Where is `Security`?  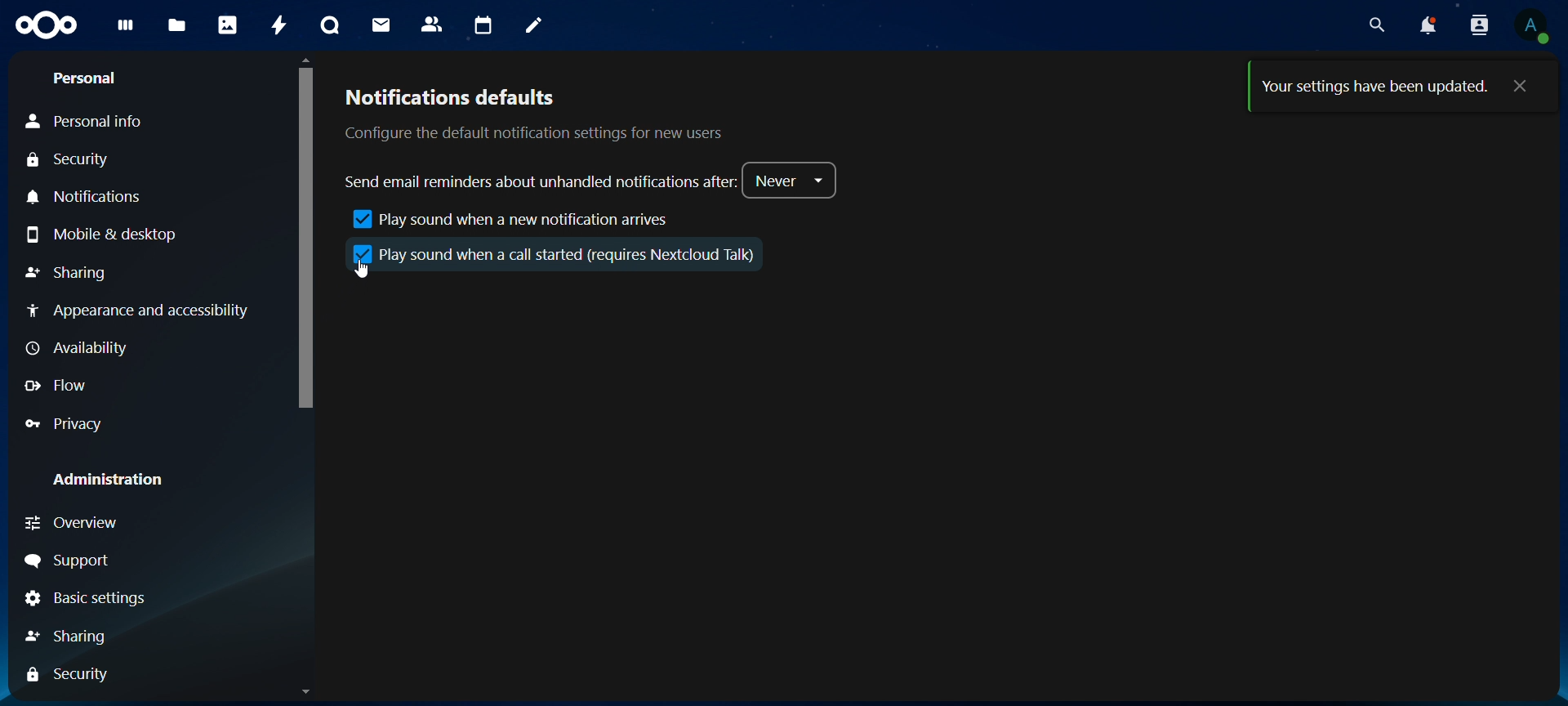 Security is located at coordinates (66, 677).